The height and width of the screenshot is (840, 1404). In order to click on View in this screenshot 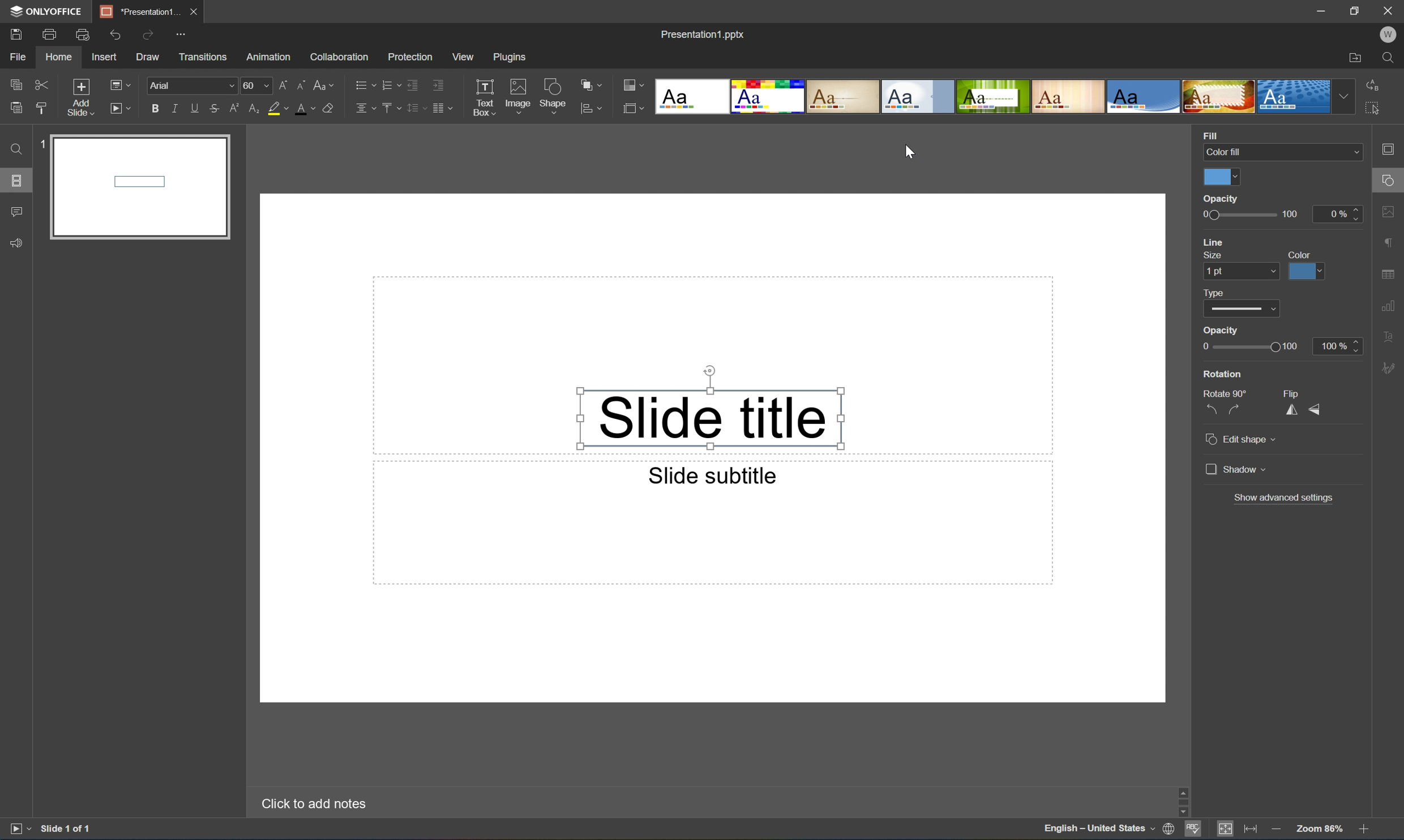, I will do `click(461, 55)`.